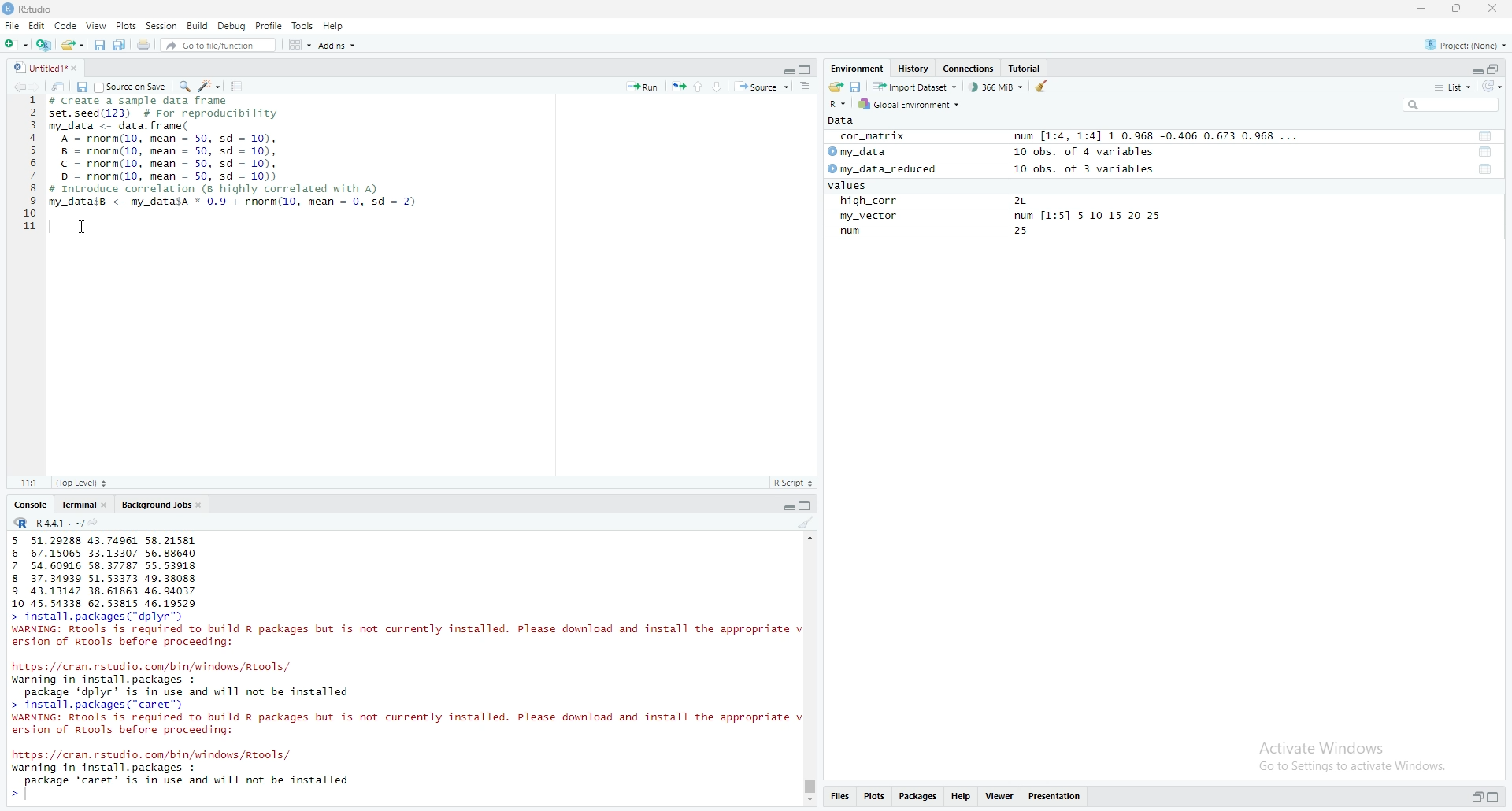 The width and height of the screenshot is (1512, 811). Describe the element at coordinates (806, 505) in the screenshot. I see `copy` at that location.